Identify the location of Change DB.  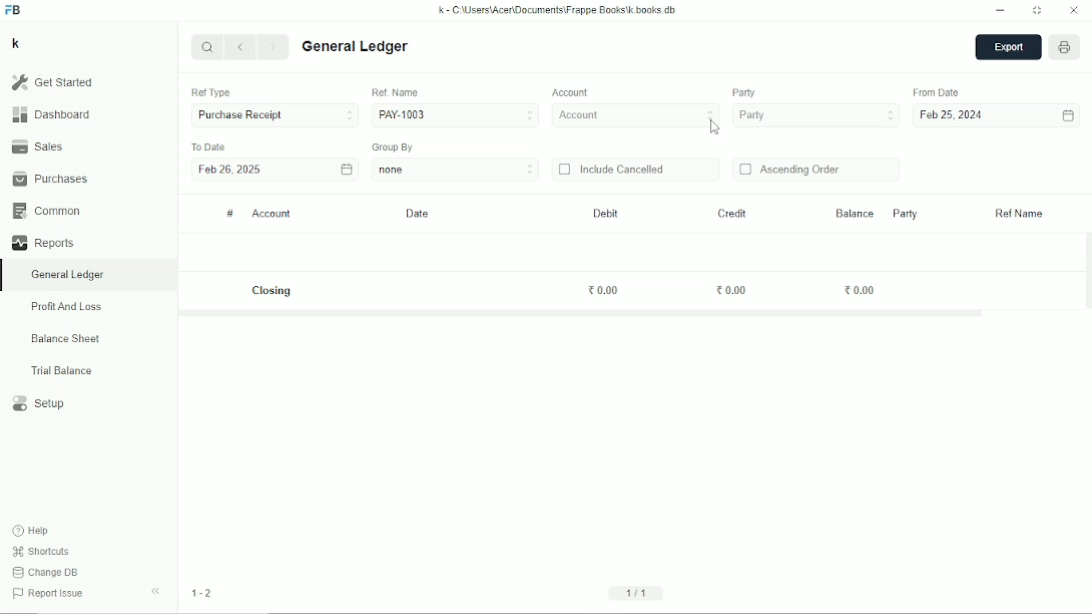
(46, 572).